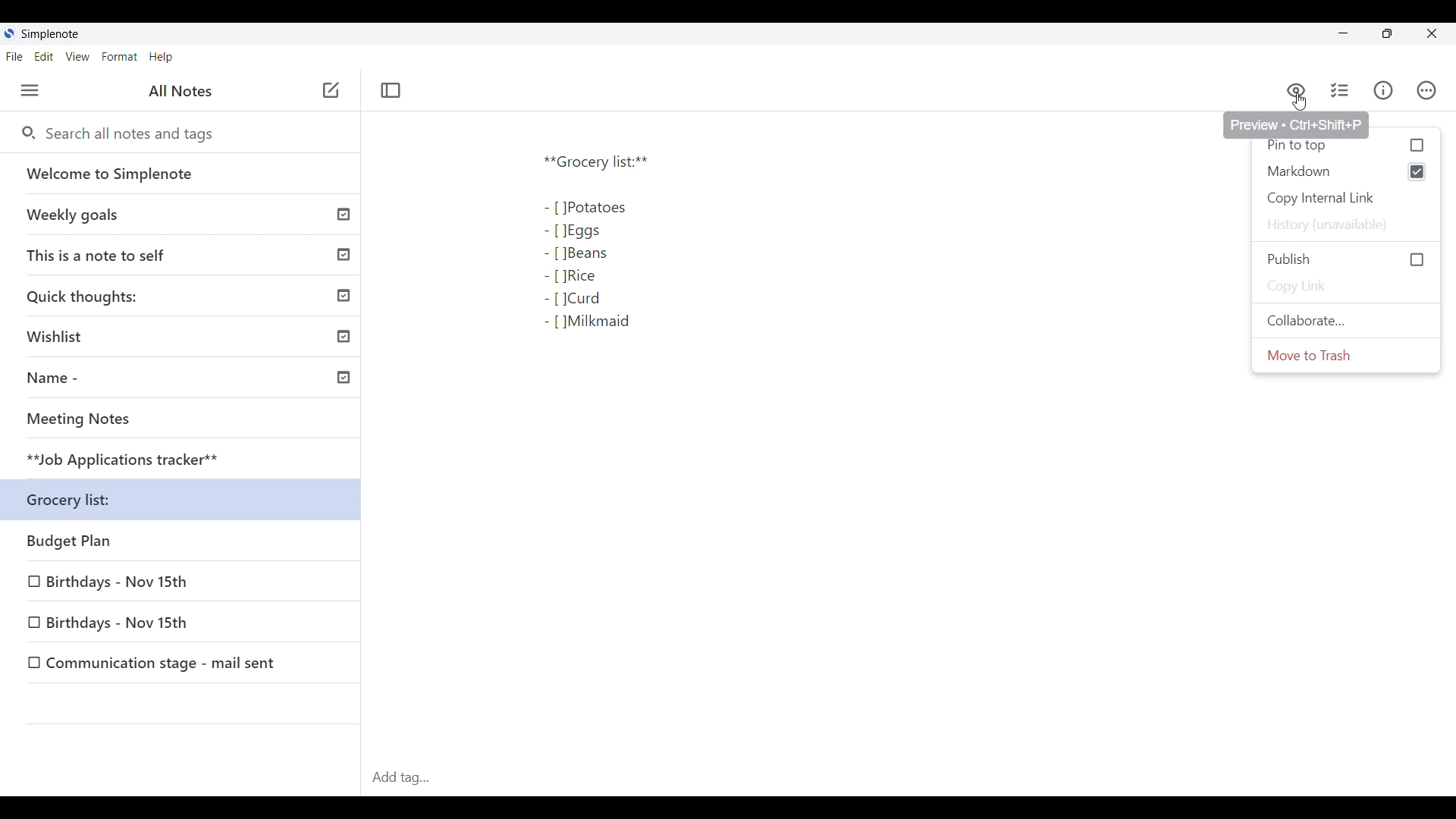 The image size is (1456, 819). I want to click on Edit, so click(44, 57).